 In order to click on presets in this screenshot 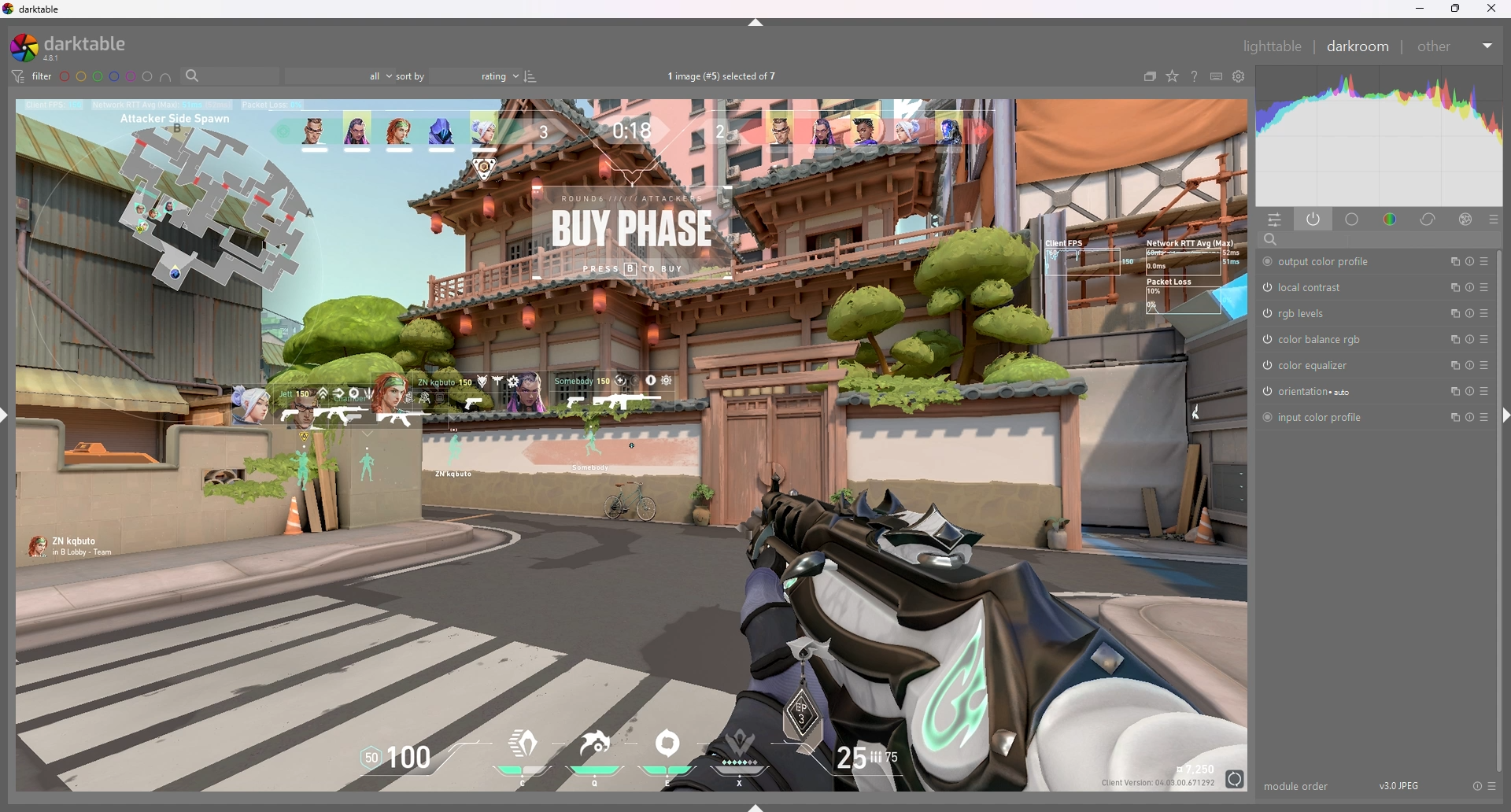, I will do `click(1491, 786)`.